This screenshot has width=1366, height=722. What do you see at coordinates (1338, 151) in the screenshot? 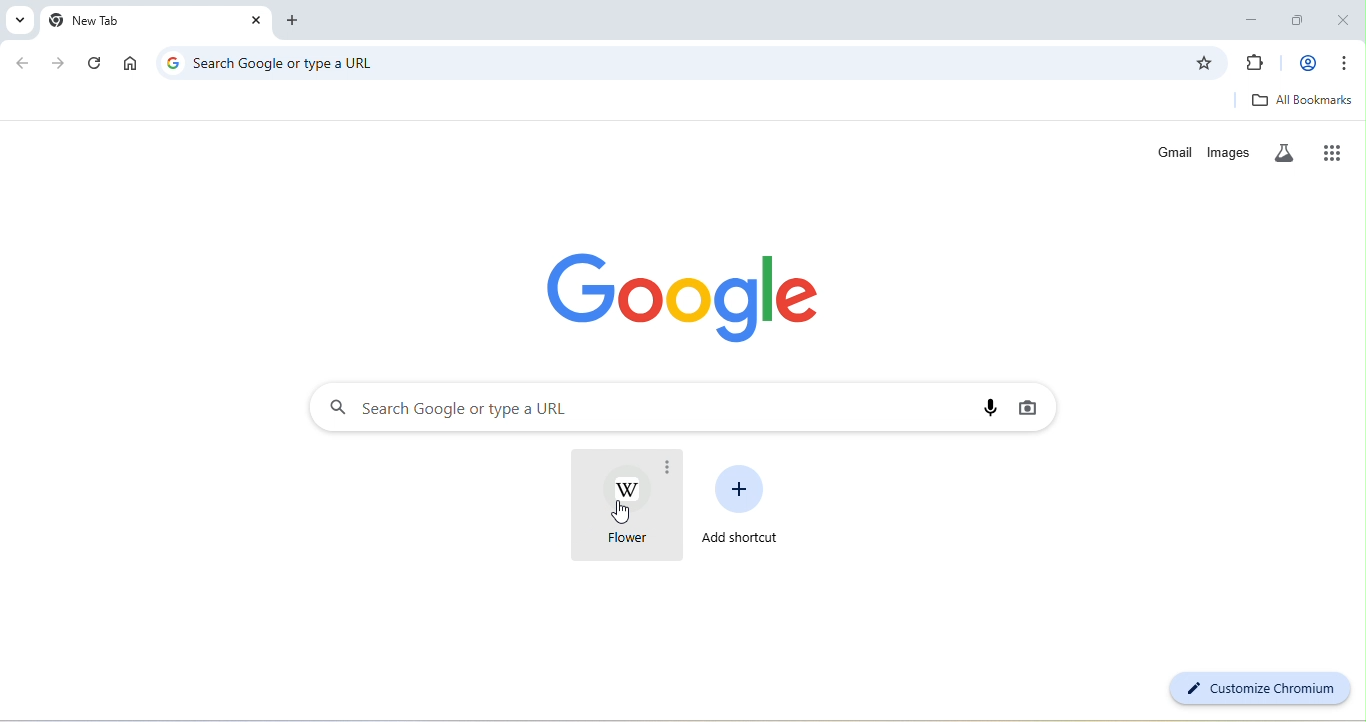
I see `google apps` at bounding box center [1338, 151].